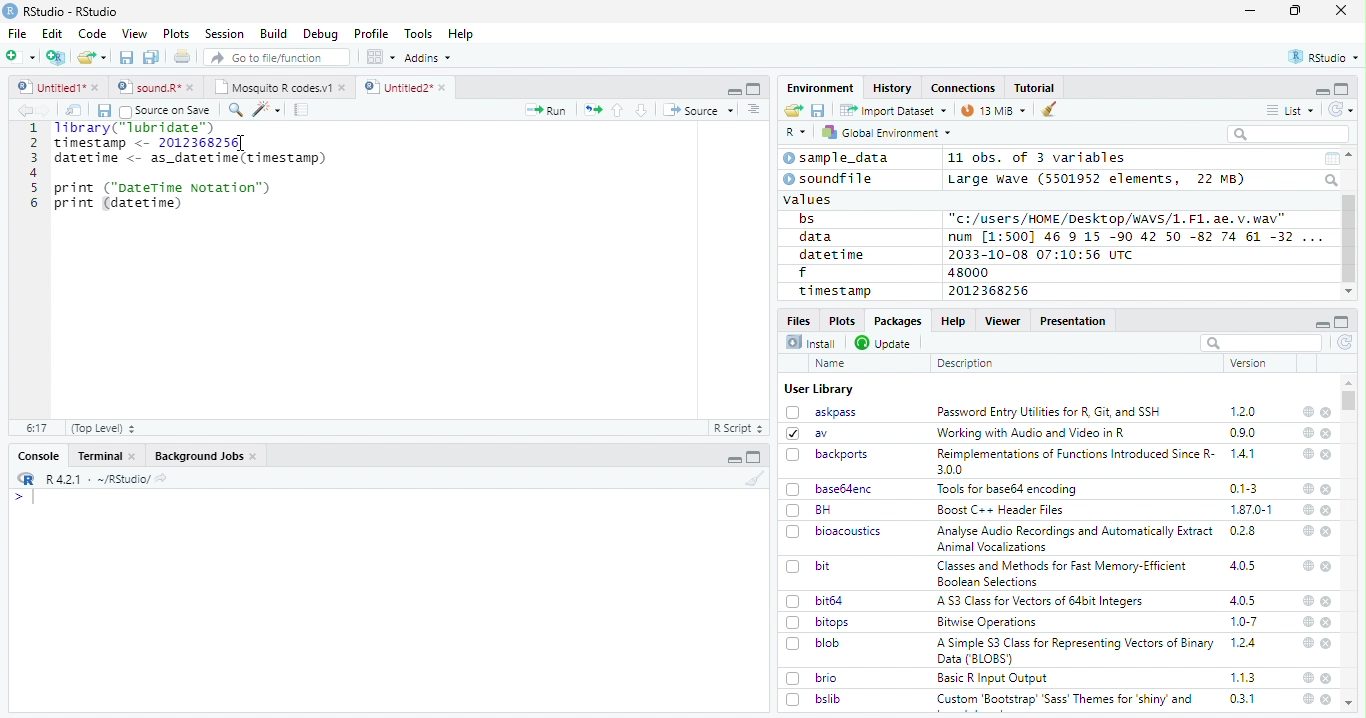  I want to click on Help, so click(952, 320).